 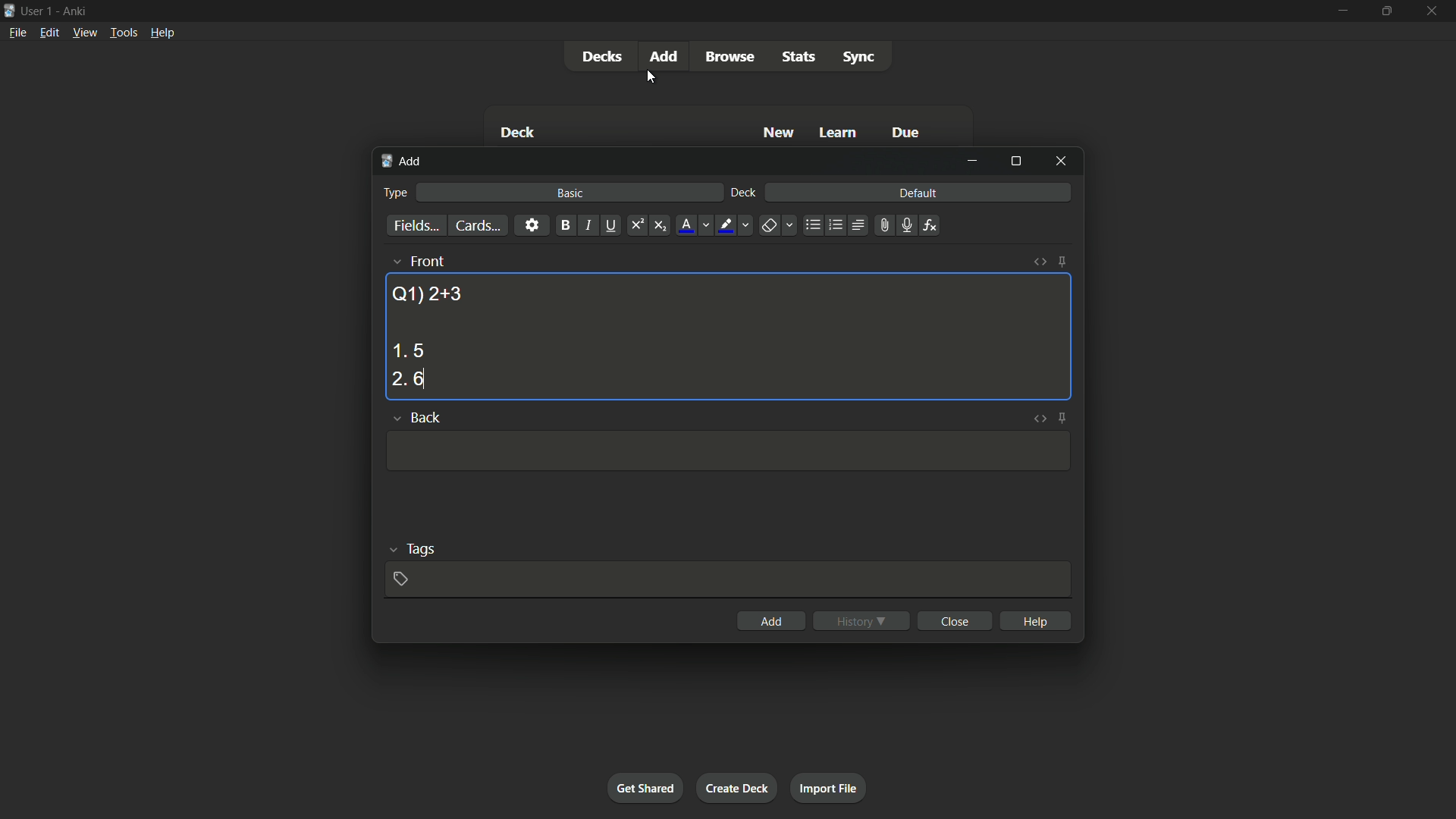 What do you see at coordinates (416, 227) in the screenshot?
I see `fields` at bounding box center [416, 227].